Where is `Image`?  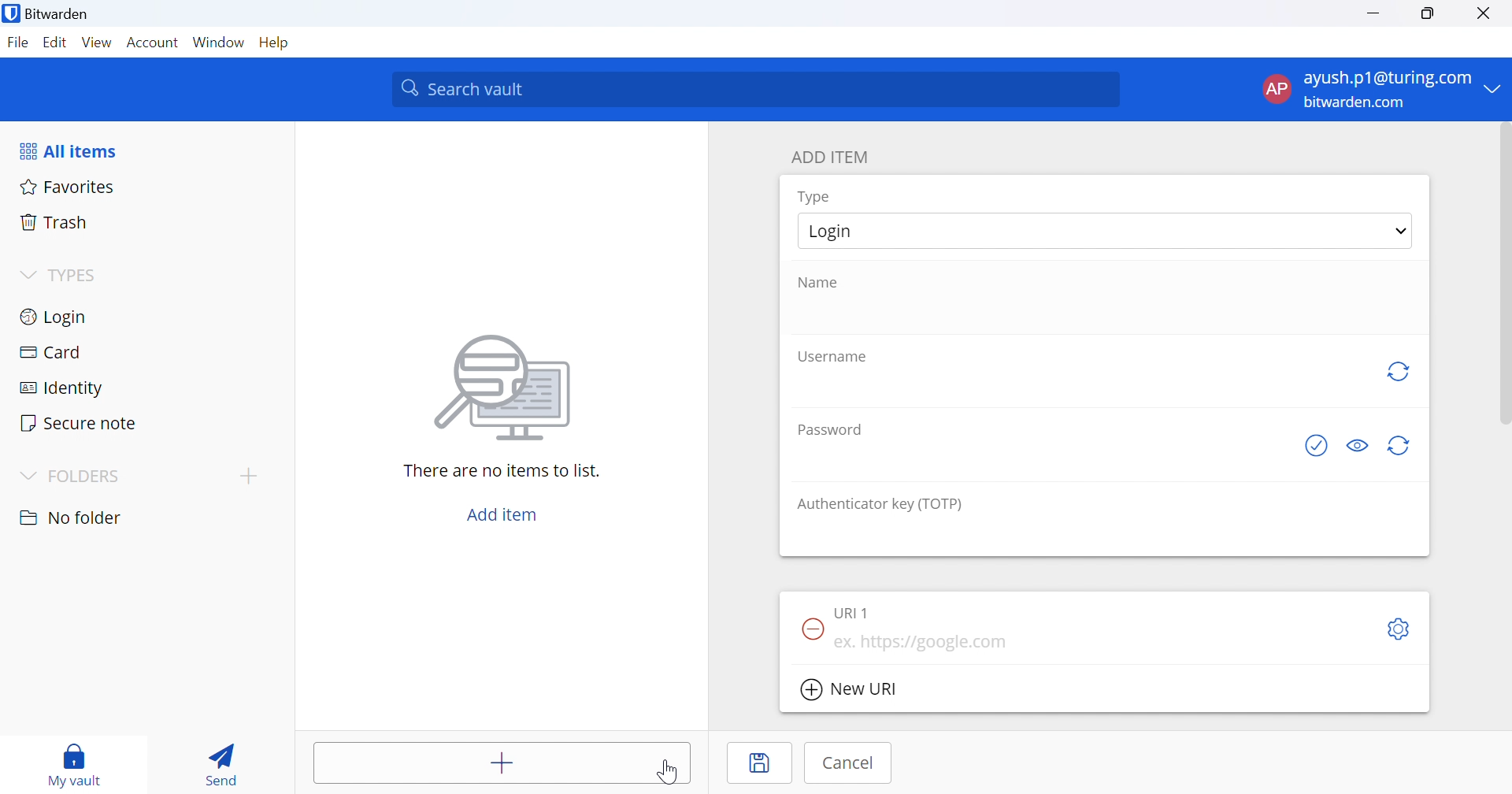 Image is located at coordinates (505, 388).